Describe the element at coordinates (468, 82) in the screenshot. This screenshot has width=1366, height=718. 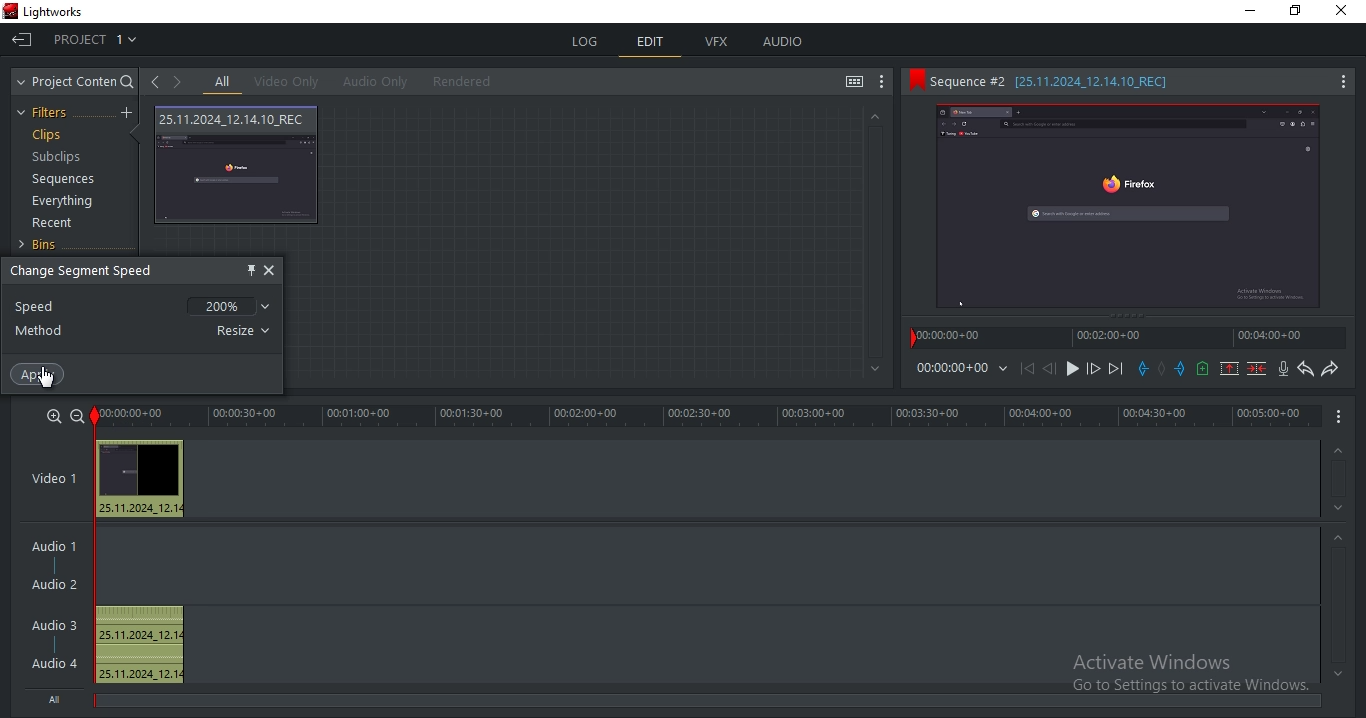
I see `rendered ` at that location.